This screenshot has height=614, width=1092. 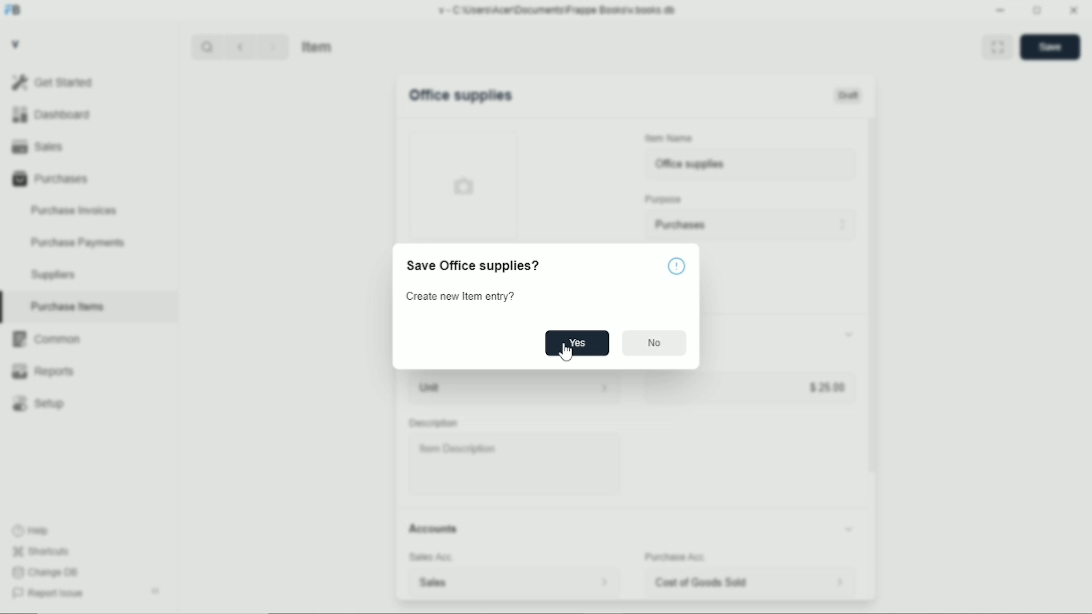 What do you see at coordinates (434, 423) in the screenshot?
I see `description` at bounding box center [434, 423].